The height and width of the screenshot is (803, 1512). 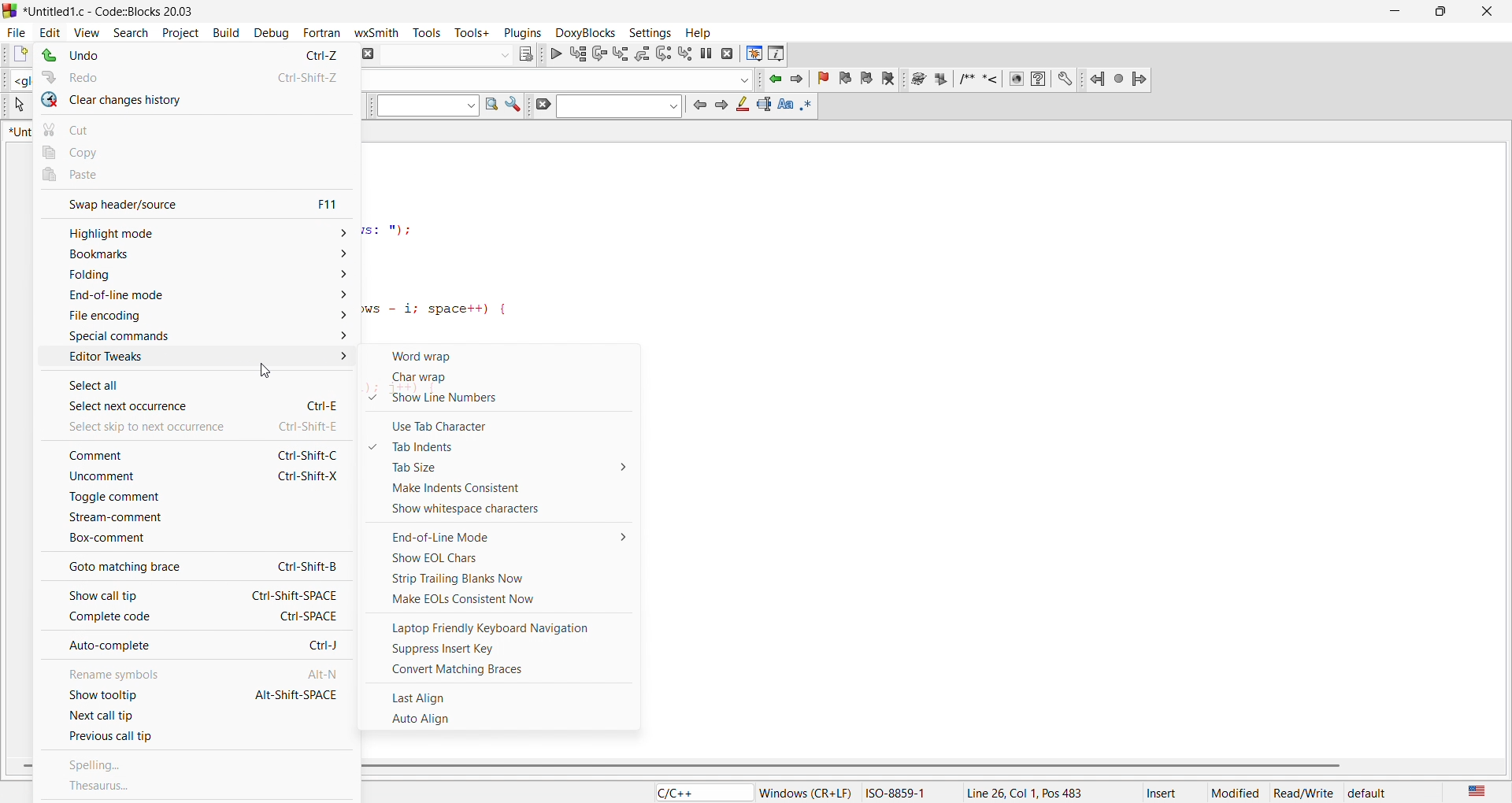 I want to click on show eol charts, so click(x=505, y=559).